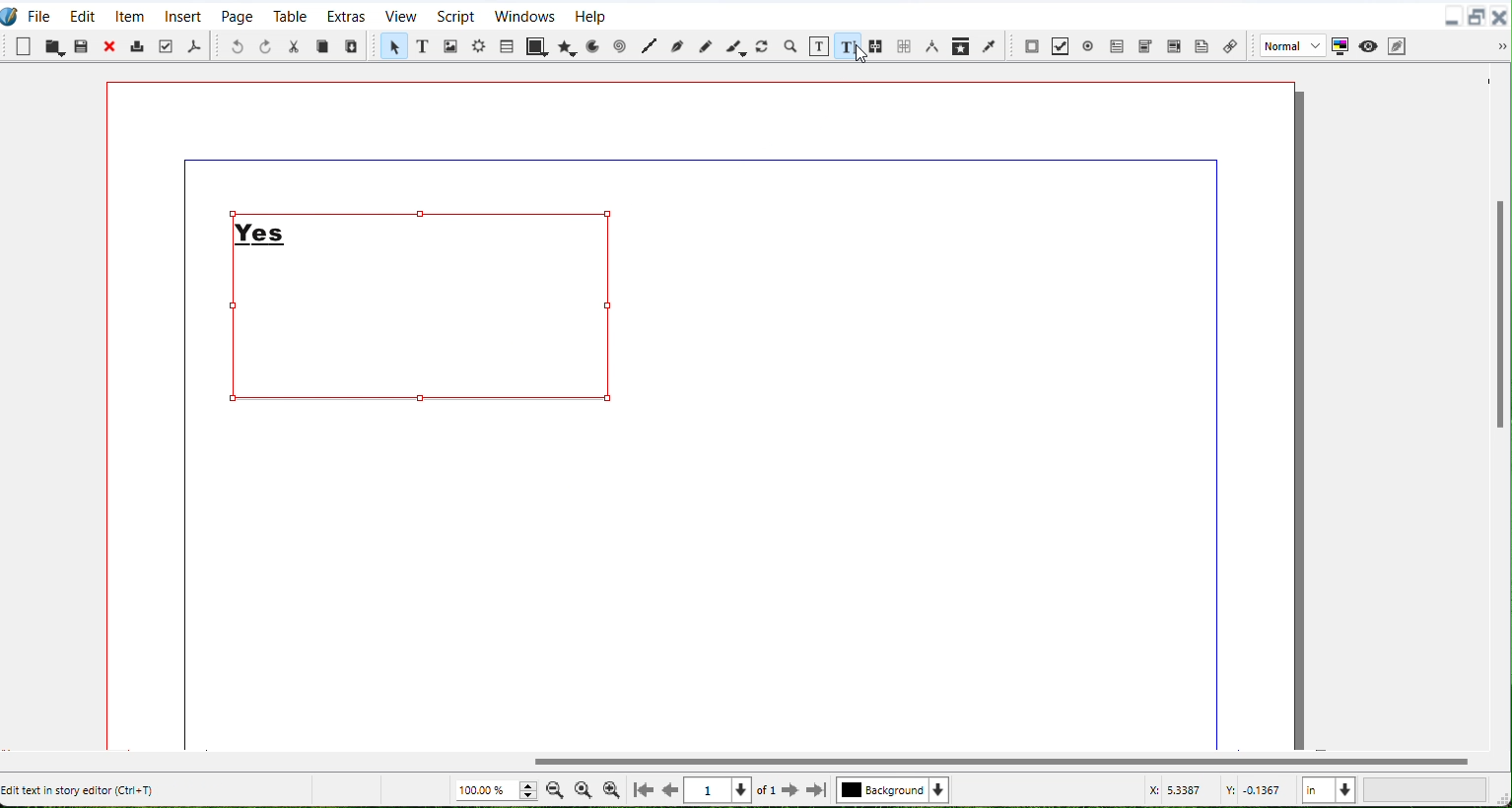  What do you see at coordinates (1203, 45) in the screenshot?
I see `Text Annotation` at bounding box center [1203, 45].